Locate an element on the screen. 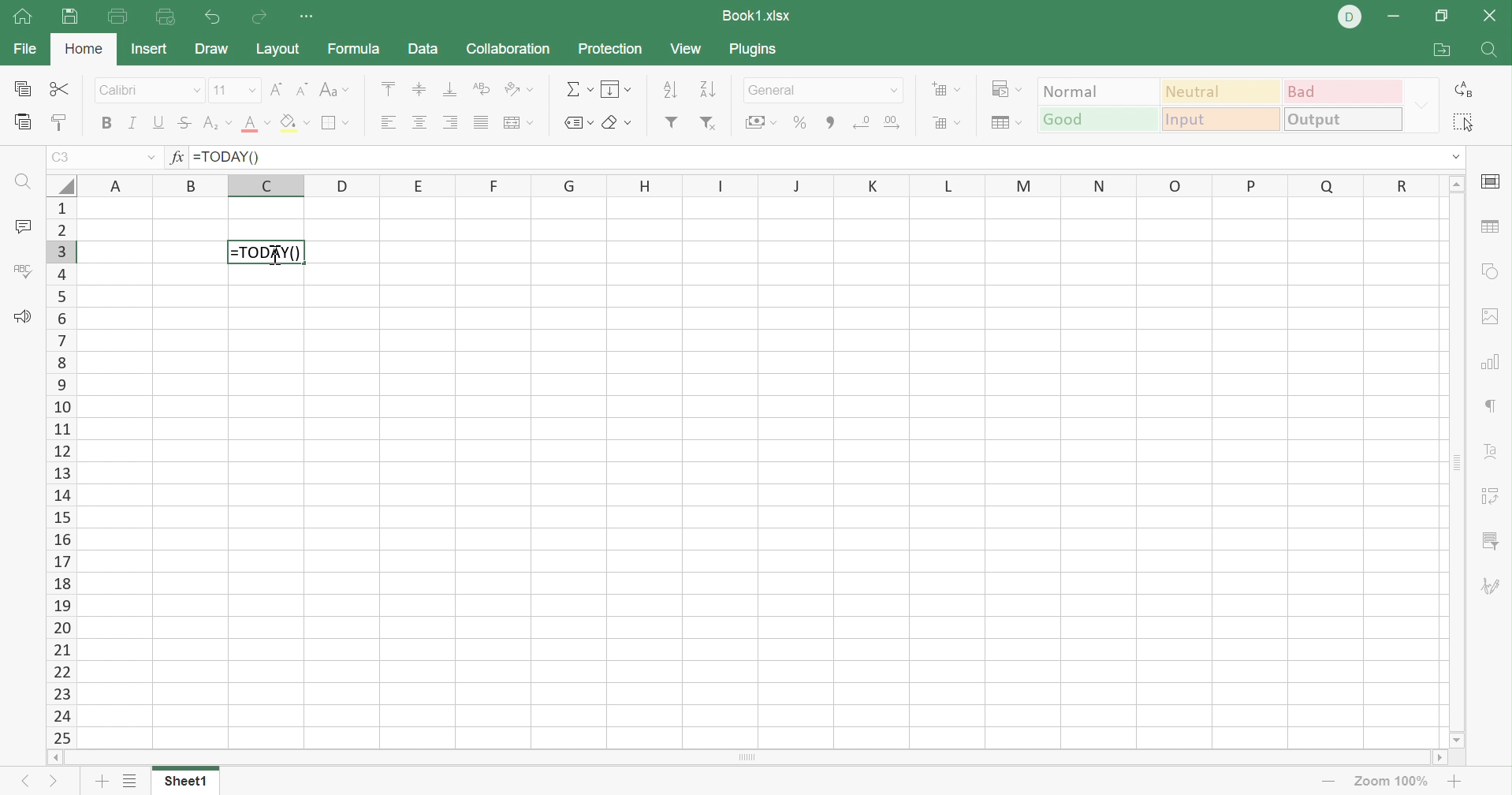 The height and width of the screenshot is (795, 1512). Print is located at coordinates (69, 17).